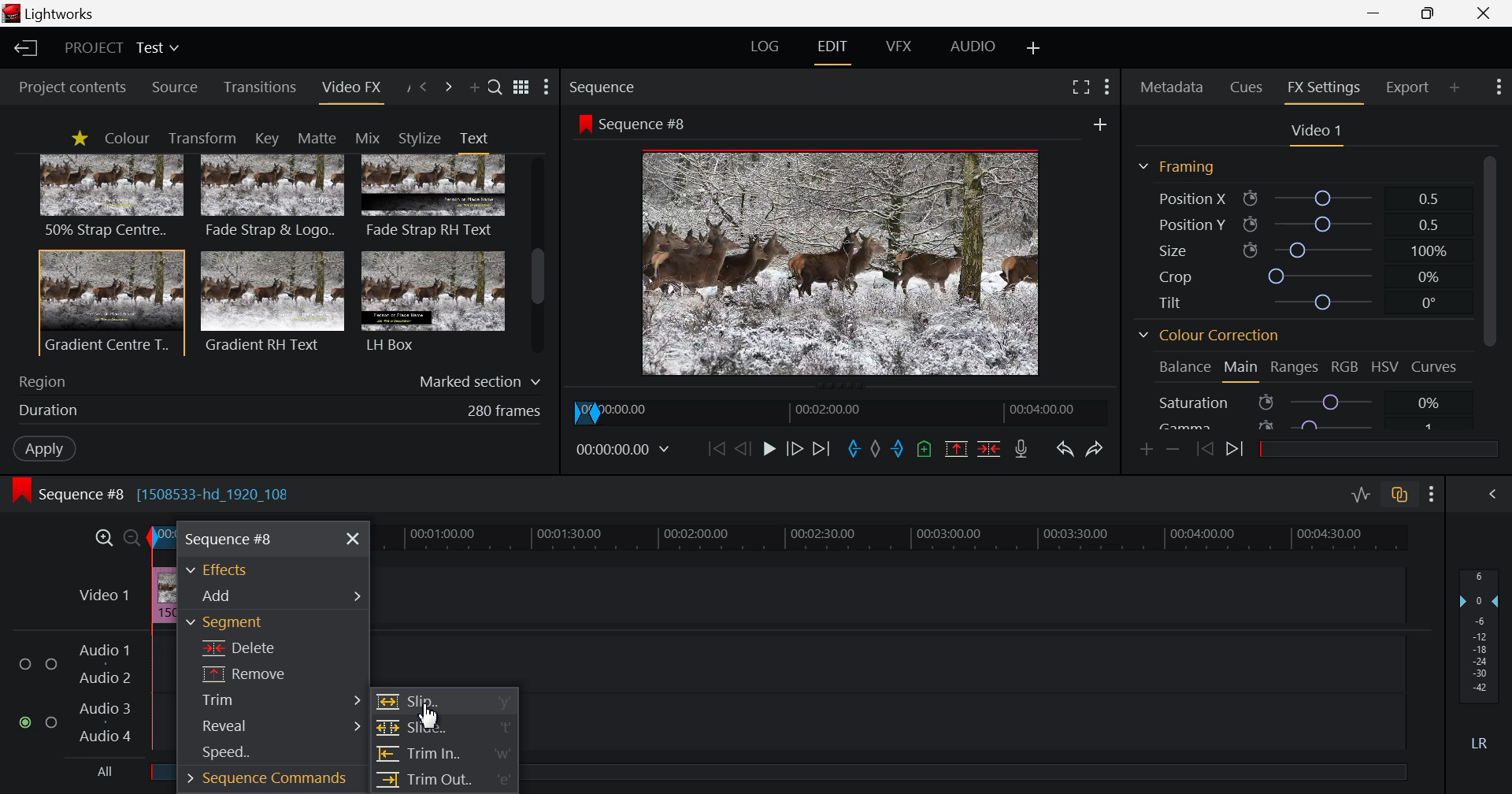 This screenshot has width=1512, height=794. What do you see at coordinates (269, 301) in the screenshot?
I see `Gradient RH Text` at bounding box center [269, 301].